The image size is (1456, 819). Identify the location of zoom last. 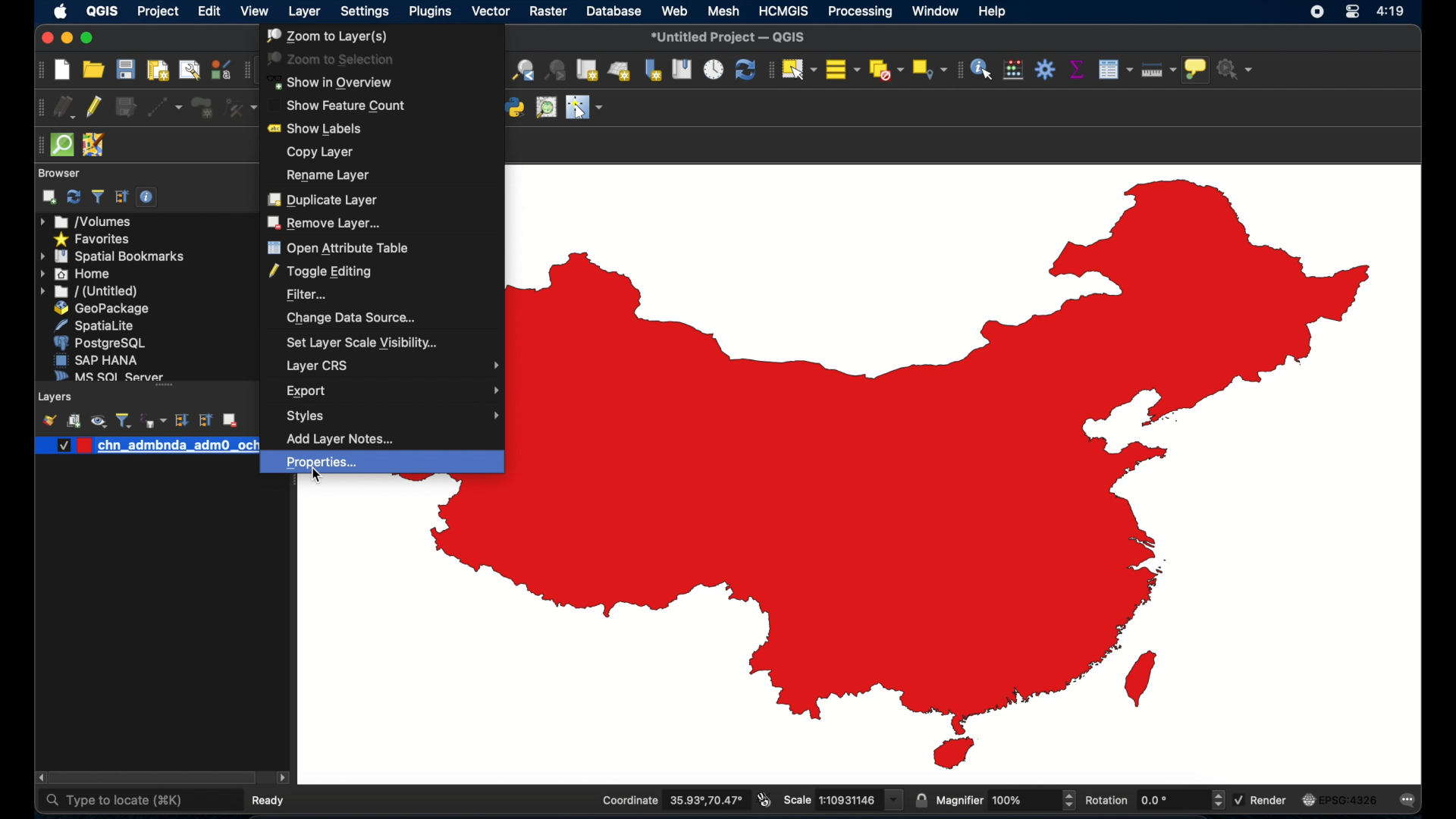
(557, 70).